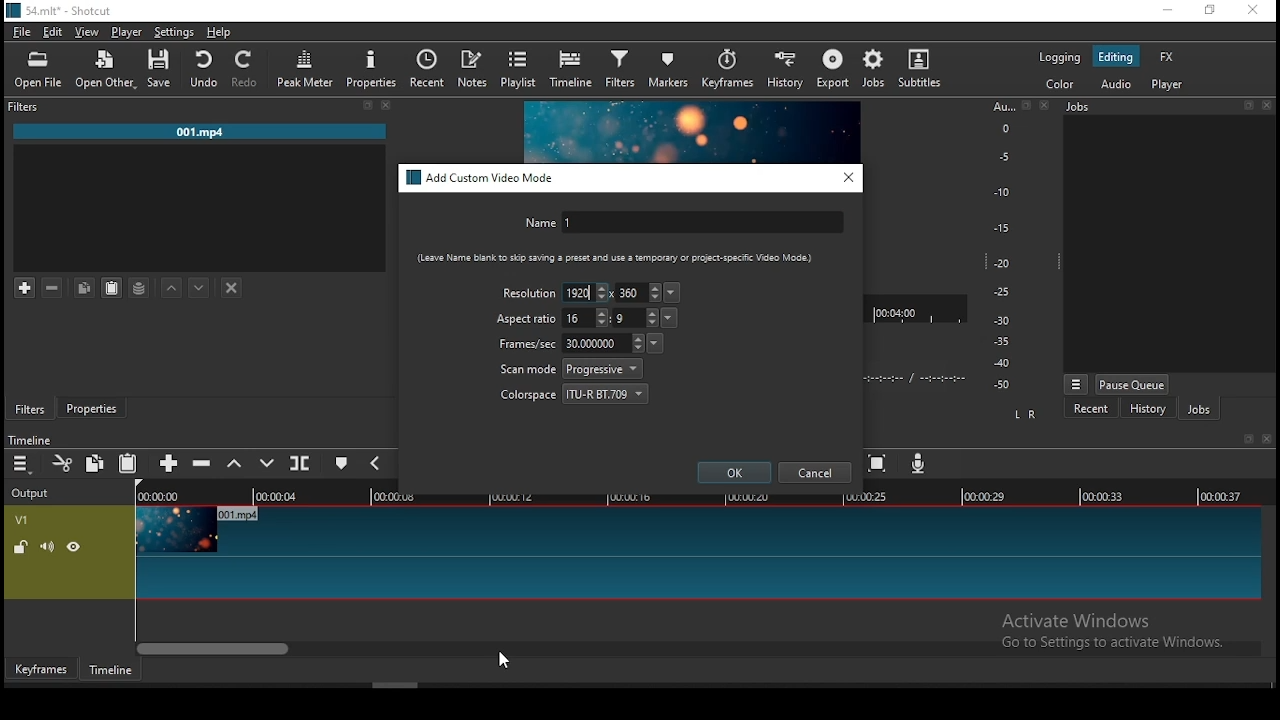 The width and height of the screenshot is (1280, 720). I want to click on -40, so click(1002, 363).